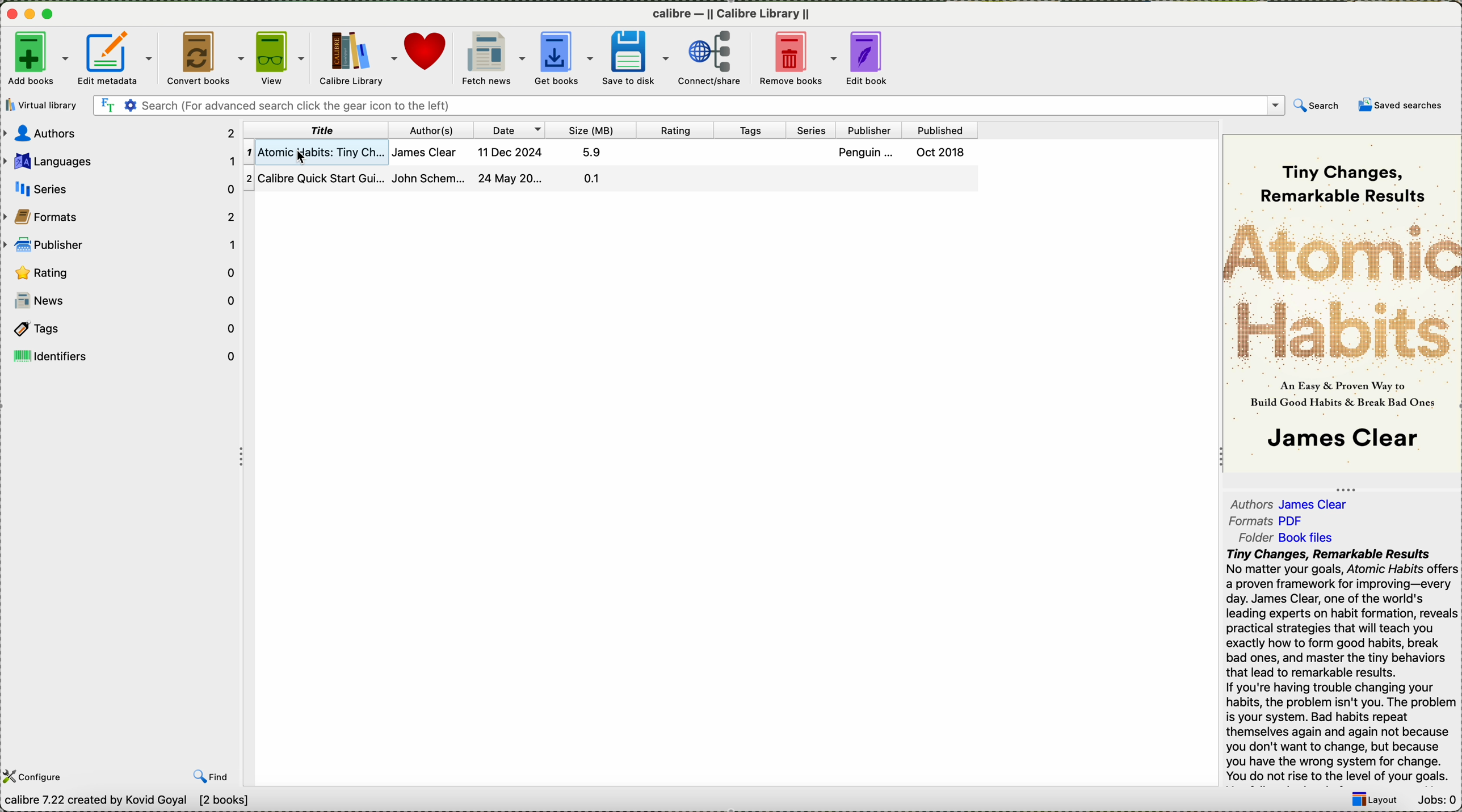 The height and width of the screenshot is (812, 1462). What do you see at coordinates (282, 57) in the screenshot?
I see `View` at bounding box center [282, 57].